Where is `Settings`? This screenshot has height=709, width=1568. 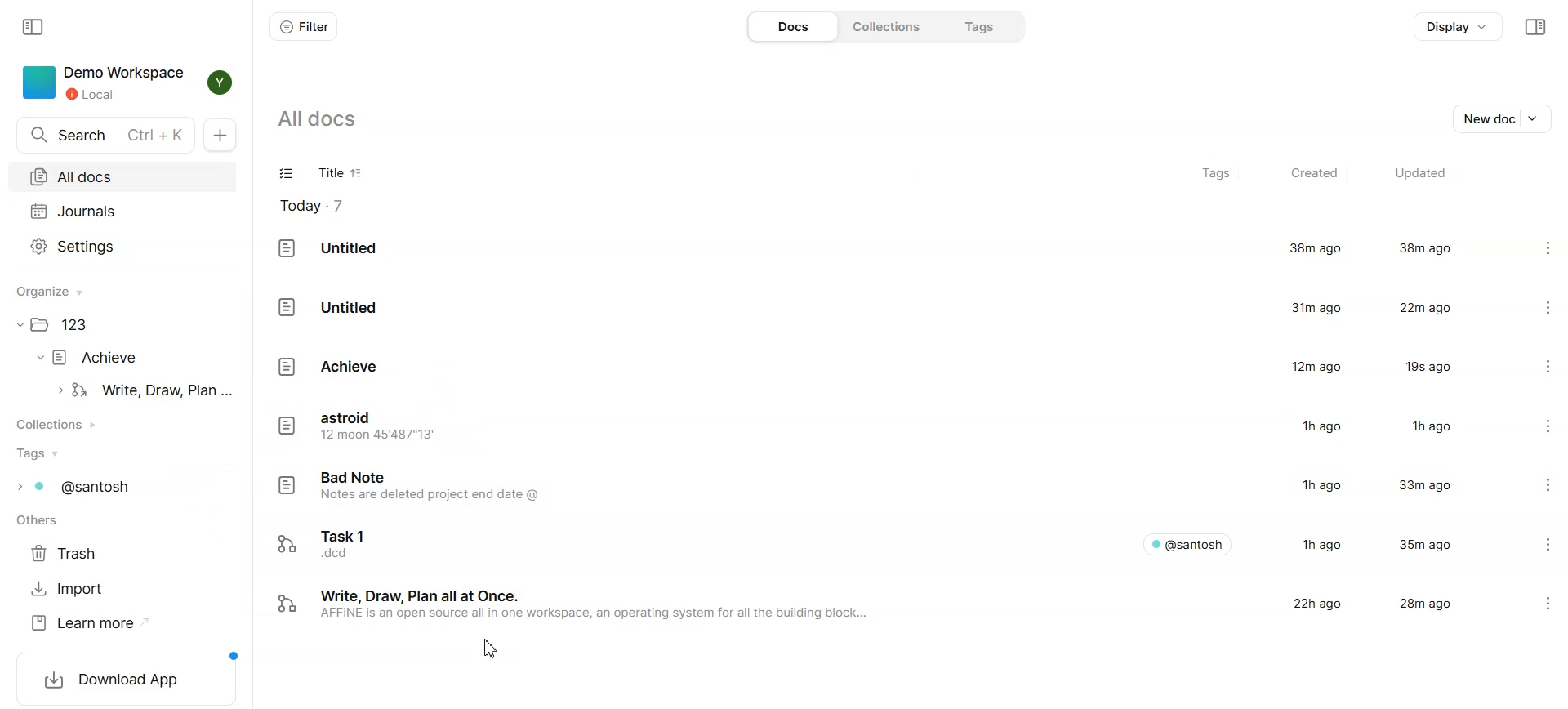 Settings is located at coordinates (1553, 603).